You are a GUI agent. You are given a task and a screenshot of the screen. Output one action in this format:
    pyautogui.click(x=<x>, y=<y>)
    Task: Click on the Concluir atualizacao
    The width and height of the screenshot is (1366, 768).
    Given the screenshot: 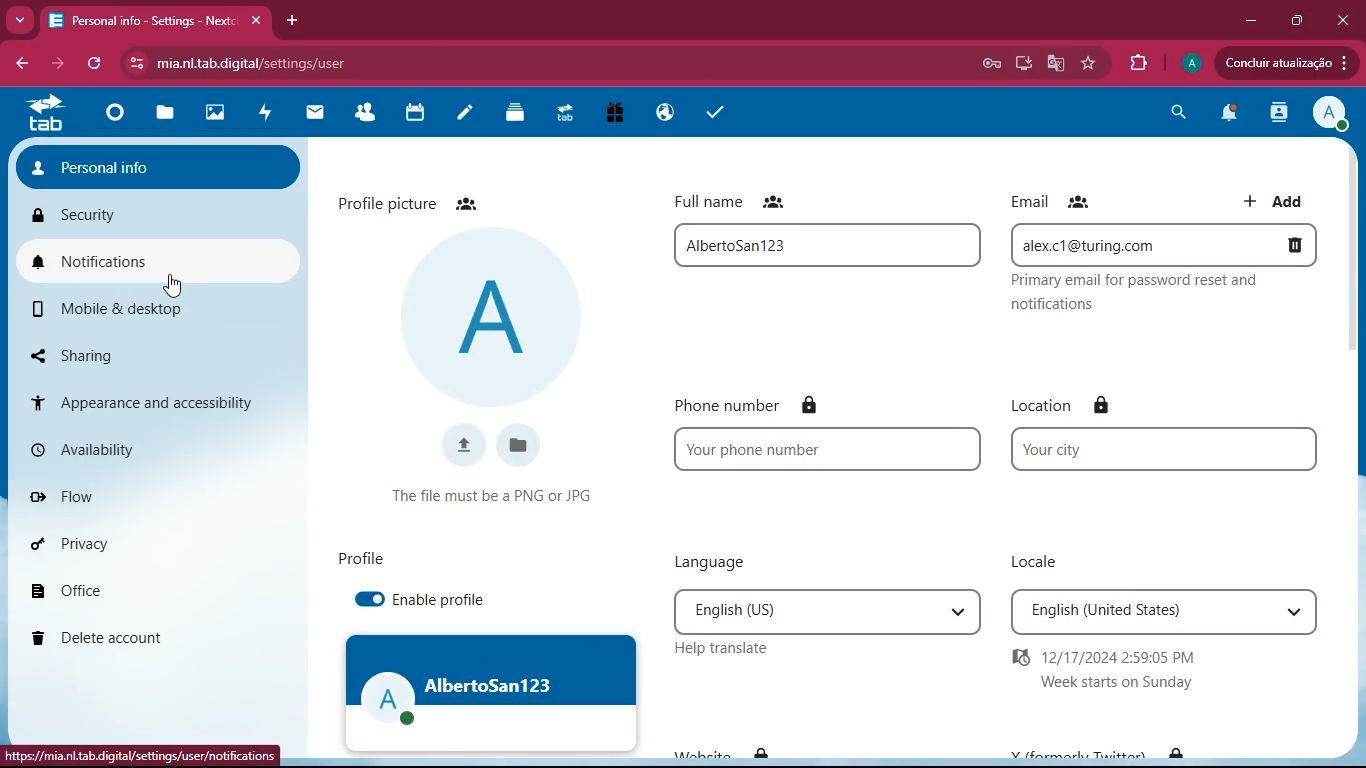 What is the action you would take?
    pyautogui.click(x=1286, y=61)
    